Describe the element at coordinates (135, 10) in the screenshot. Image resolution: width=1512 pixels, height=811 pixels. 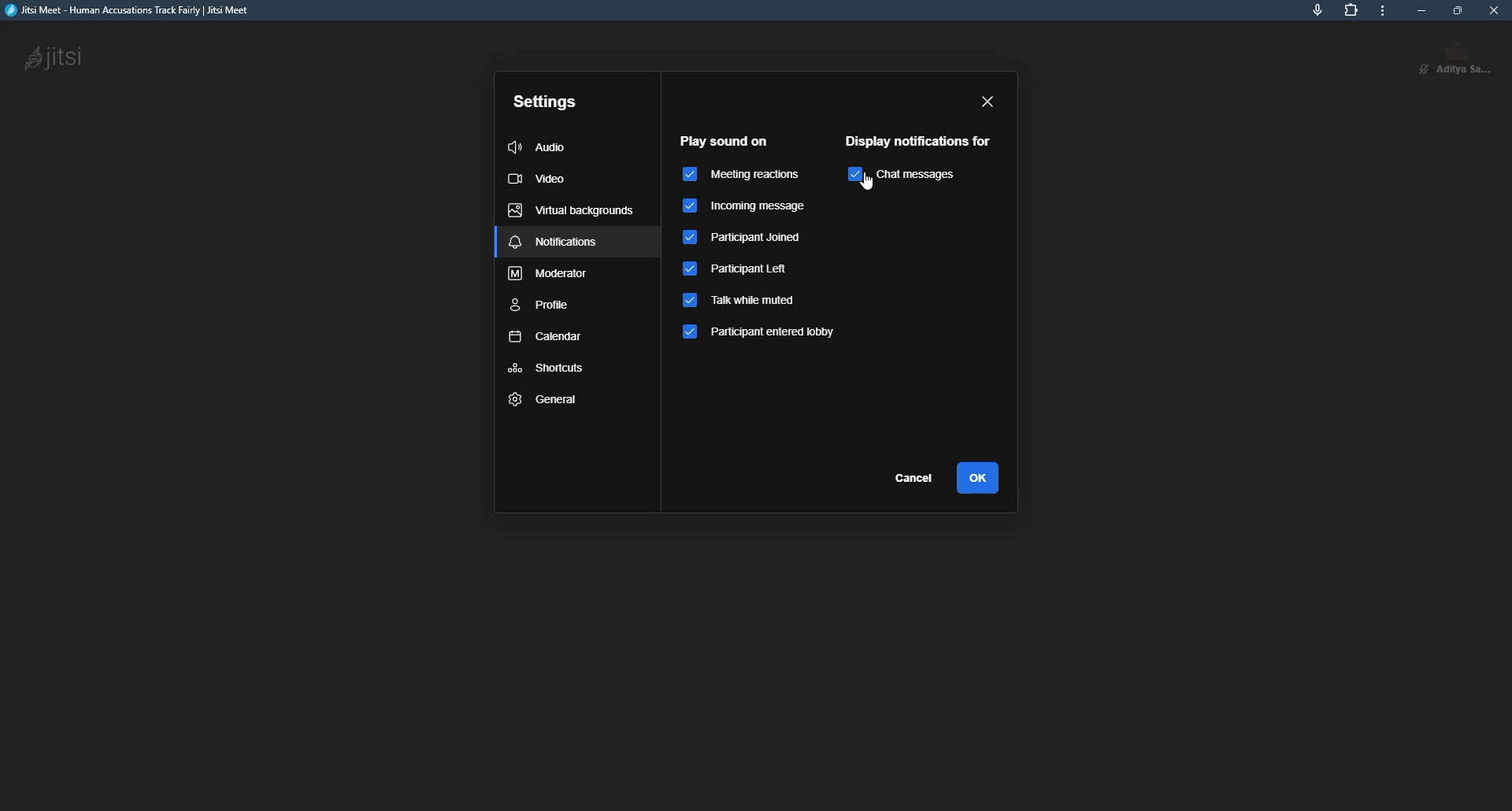
I see `jitsi` at that location.